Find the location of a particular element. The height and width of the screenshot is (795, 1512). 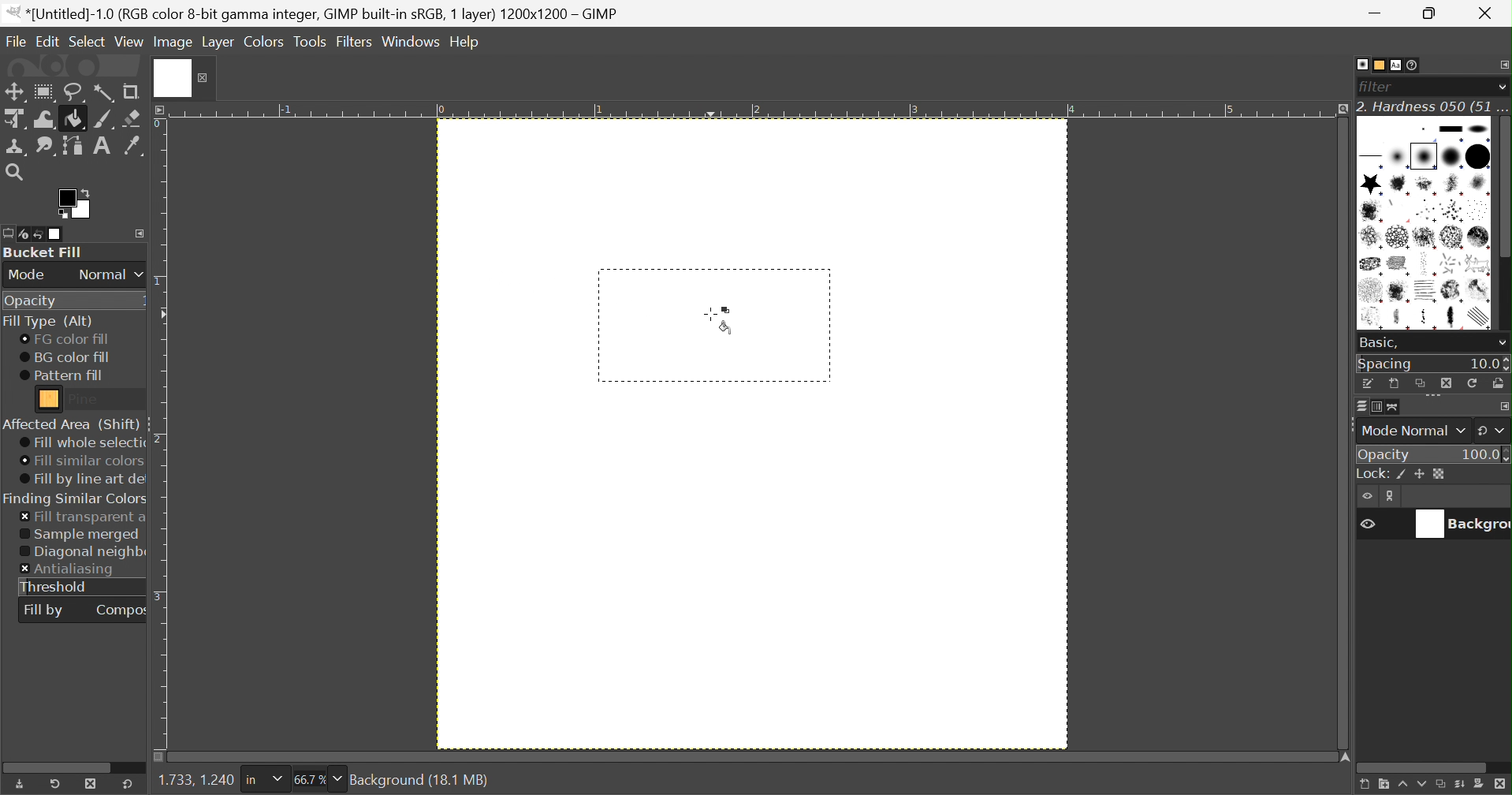

Hardness 050 is located at coordinates (1451, 156).